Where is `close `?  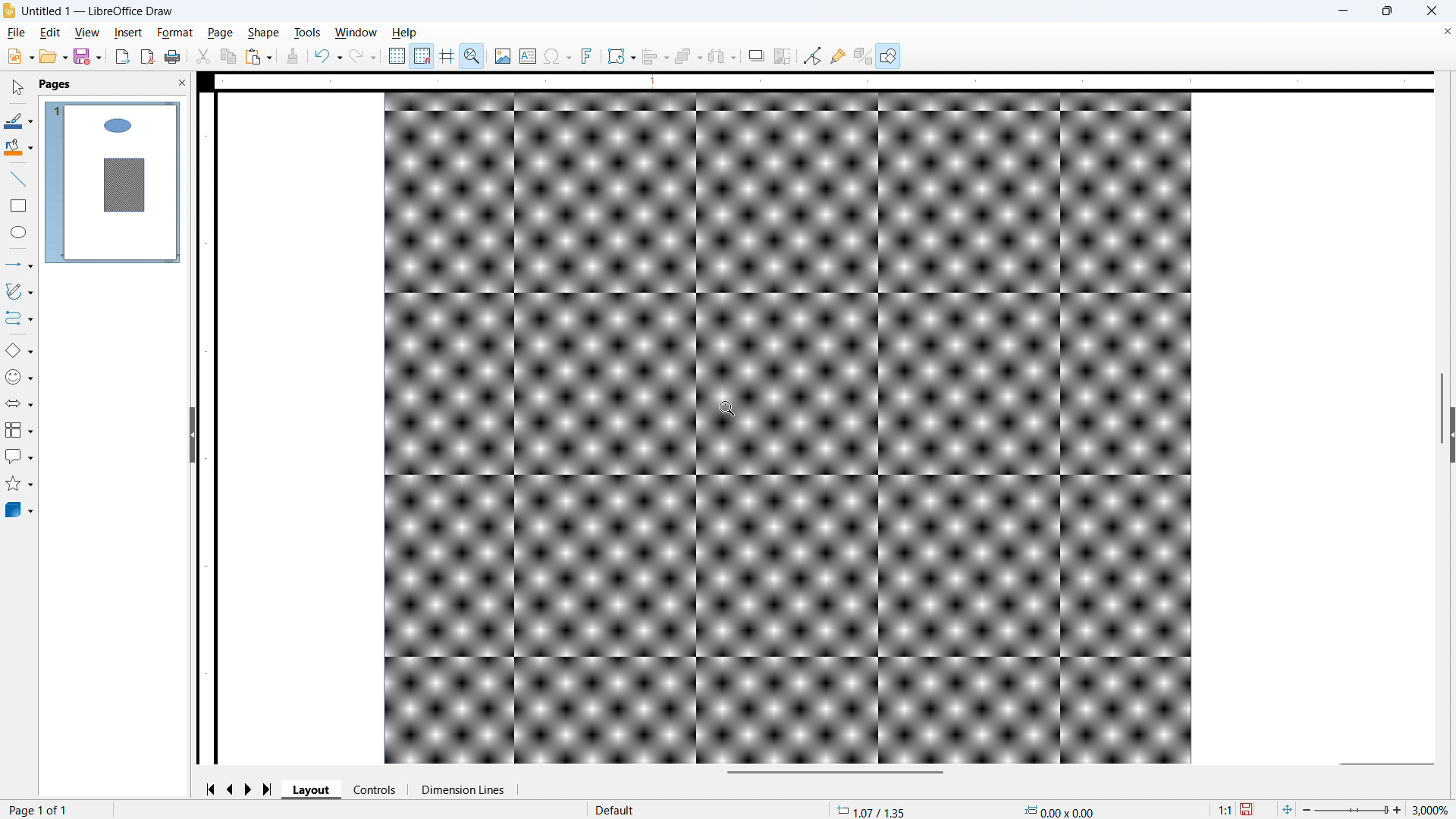 close  is located at coordinates (1430, 11).